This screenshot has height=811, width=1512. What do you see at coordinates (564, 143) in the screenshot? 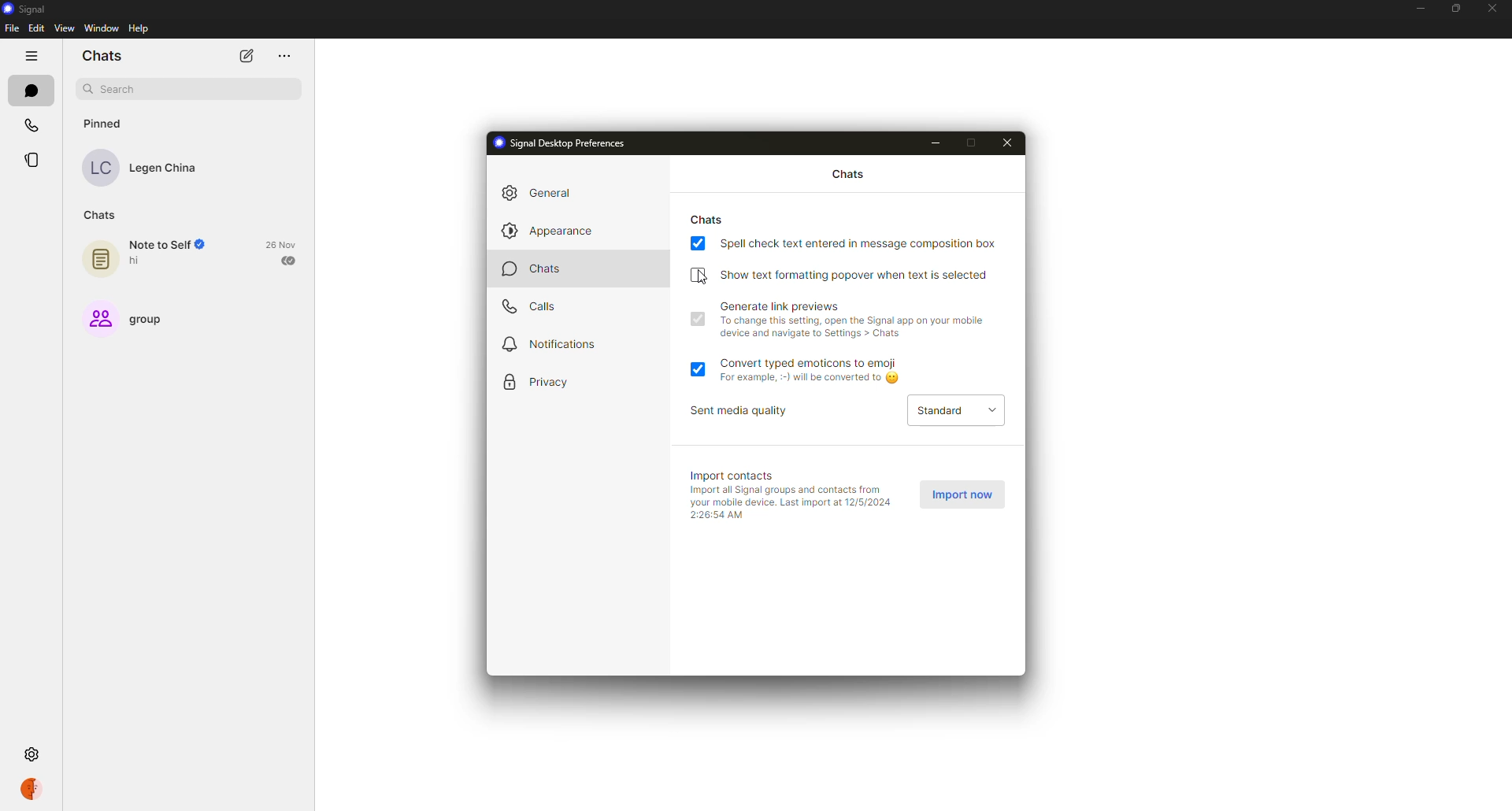
I see `signal desktop preferences` at bounding box center [564, 143].